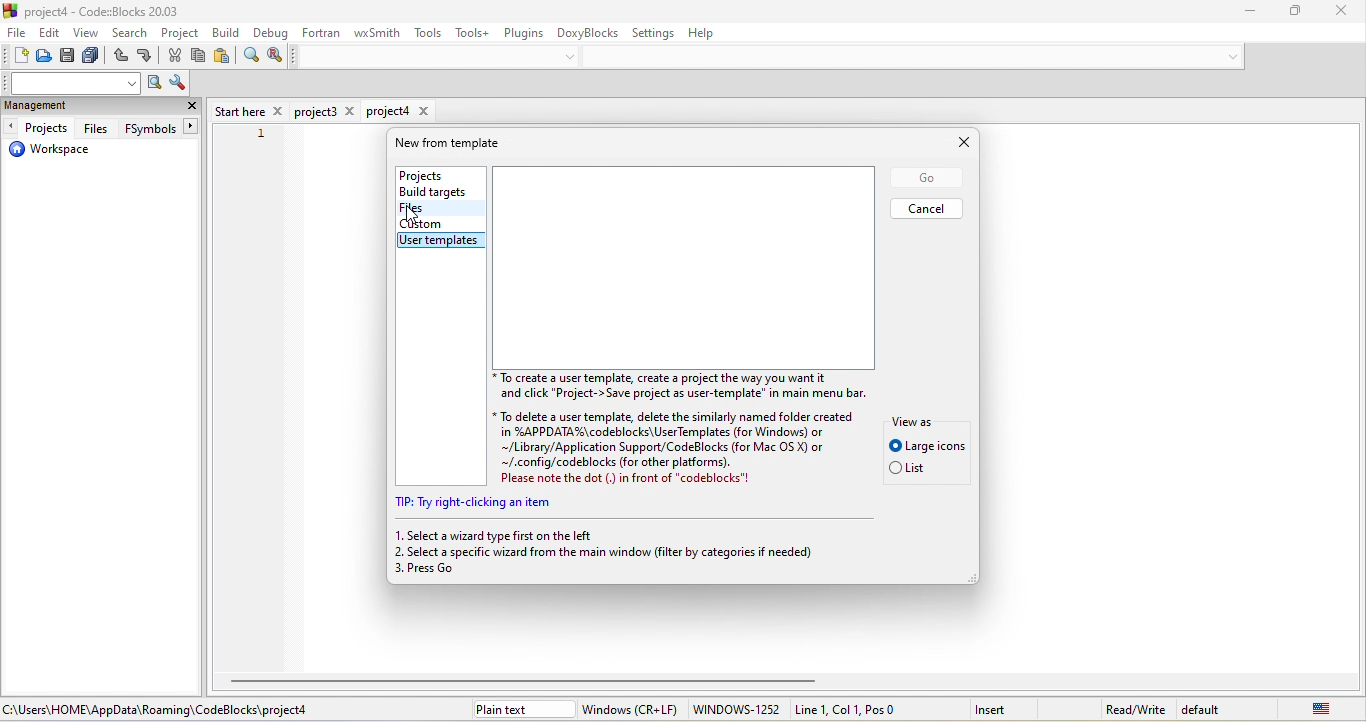  What do you see at coordinates (497, 535) in the screenshot?
I see `1. select a wizard type first on the left` at bounding box center [497, 535].